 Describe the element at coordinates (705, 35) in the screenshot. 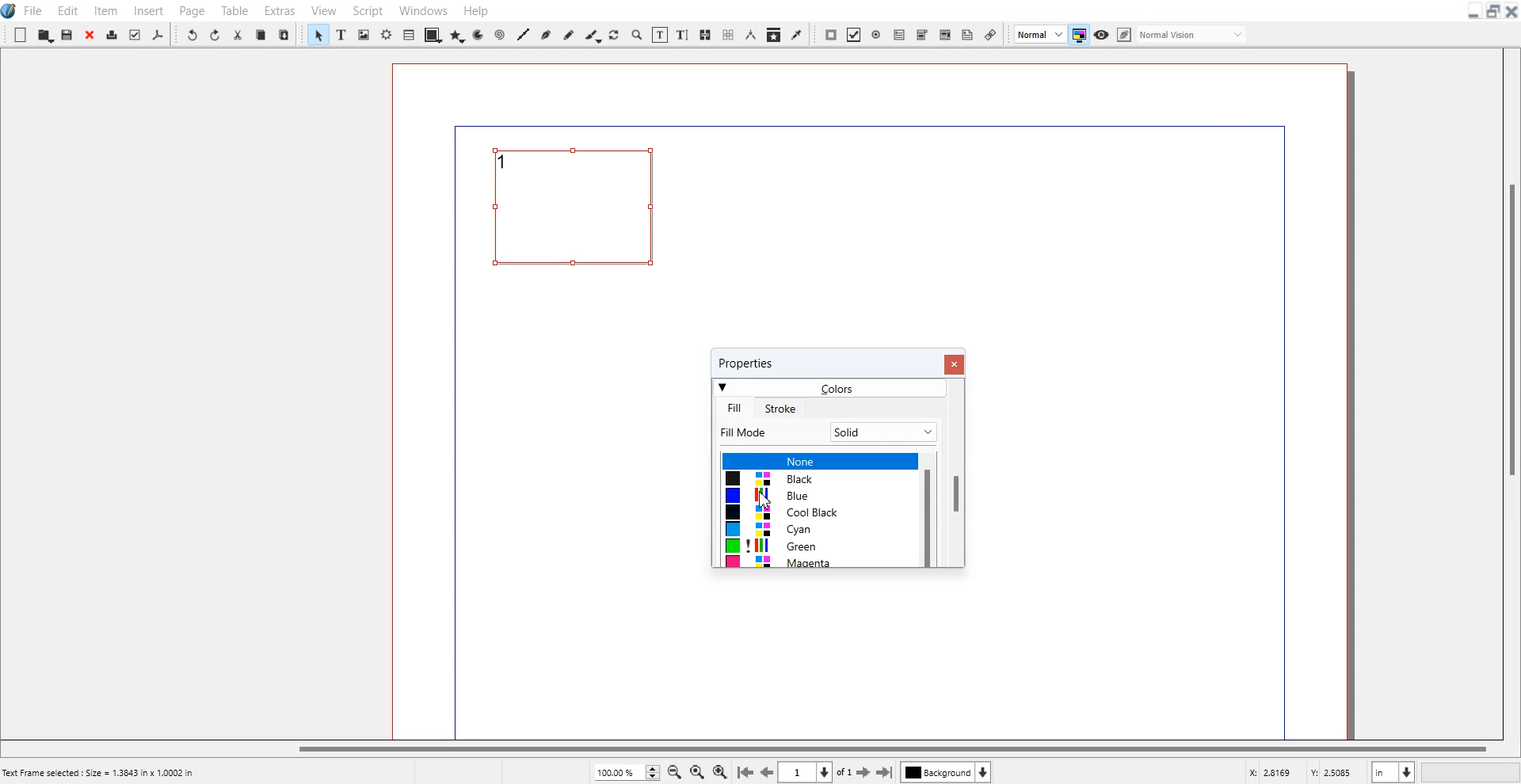

I see `Link Text Frame` at that location.